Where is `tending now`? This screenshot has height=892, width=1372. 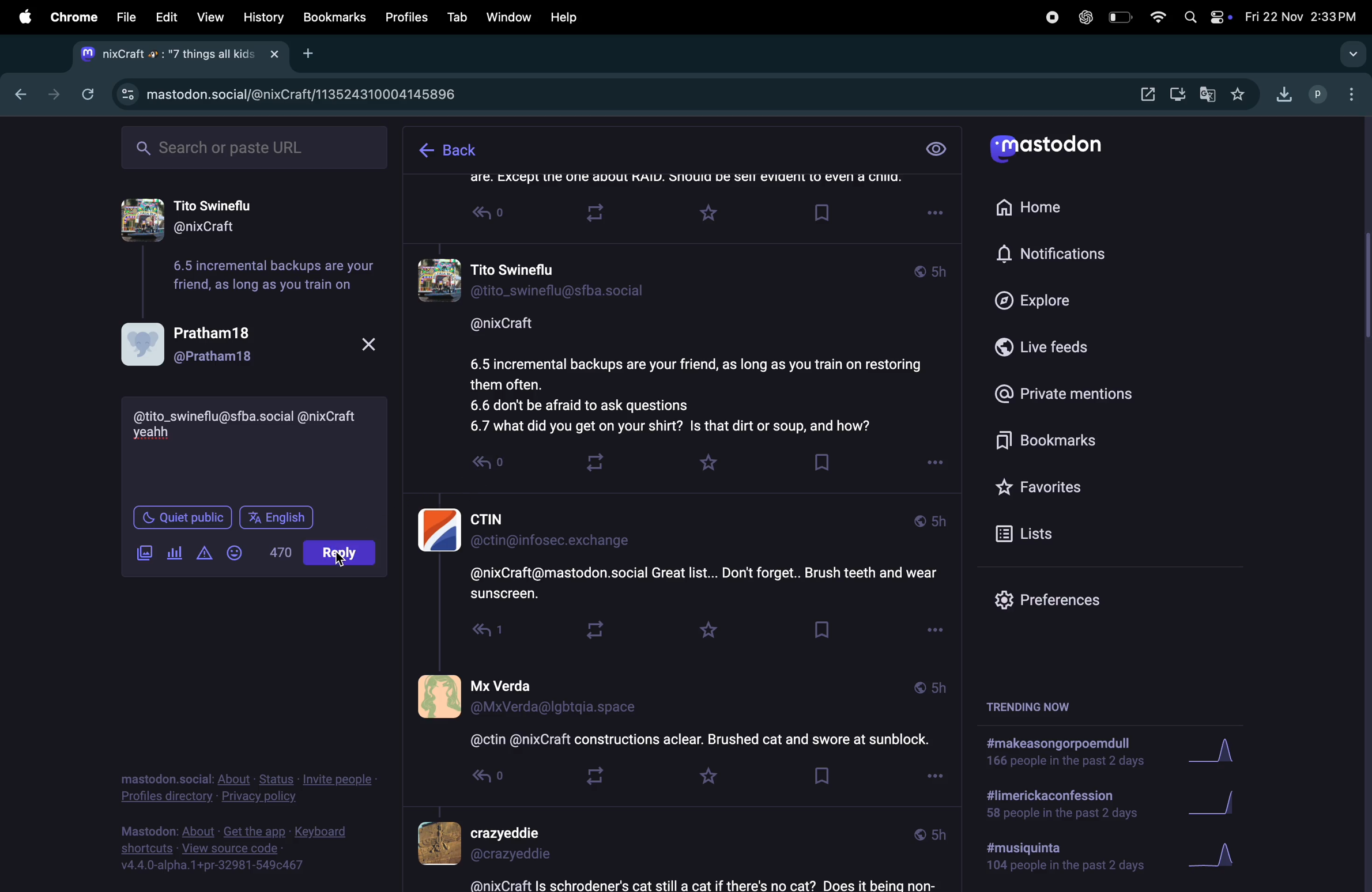 tending now is located at coordinates (1038, 708).